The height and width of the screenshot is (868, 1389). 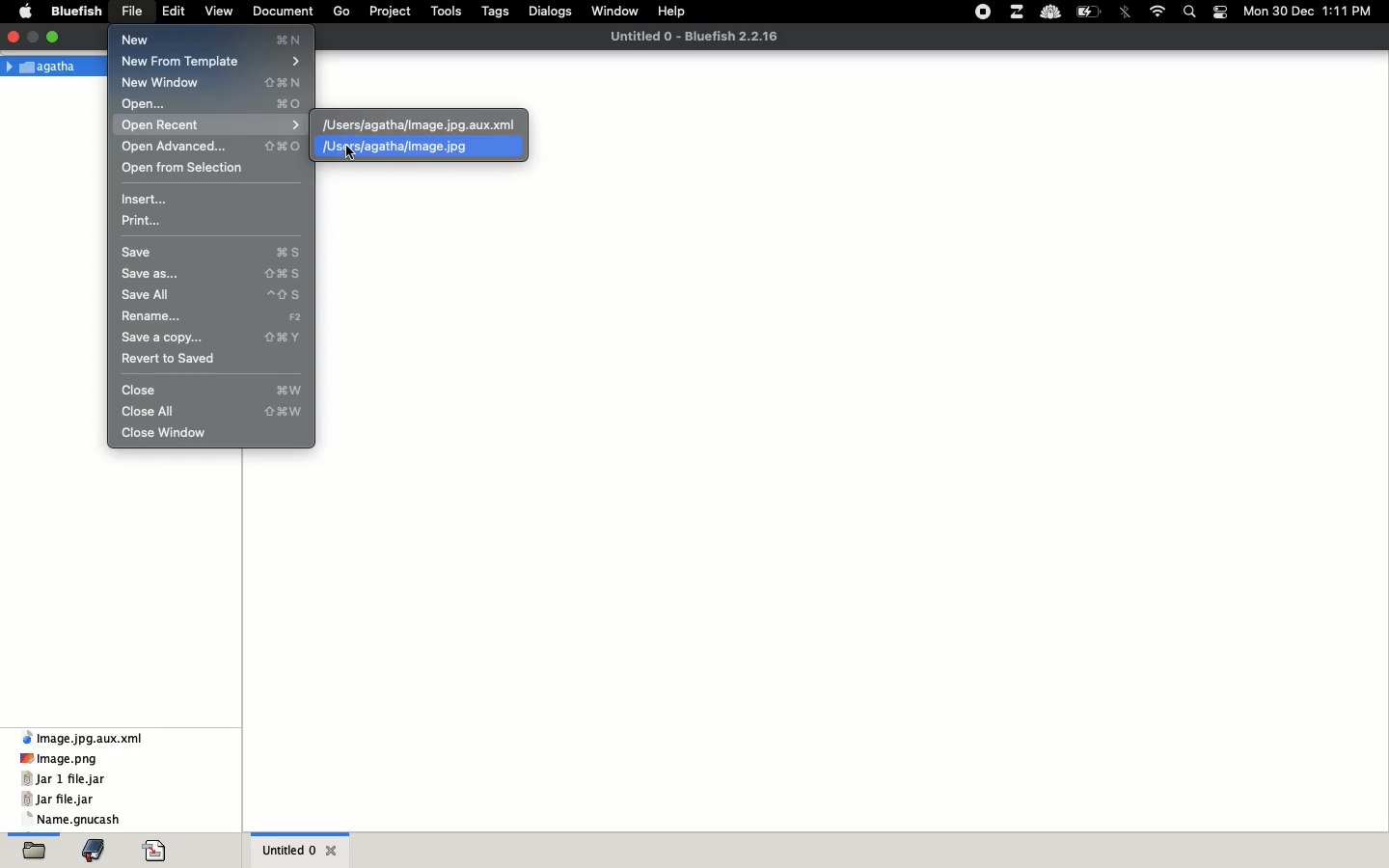 I want to click on apple, so click(x=30, y=10).